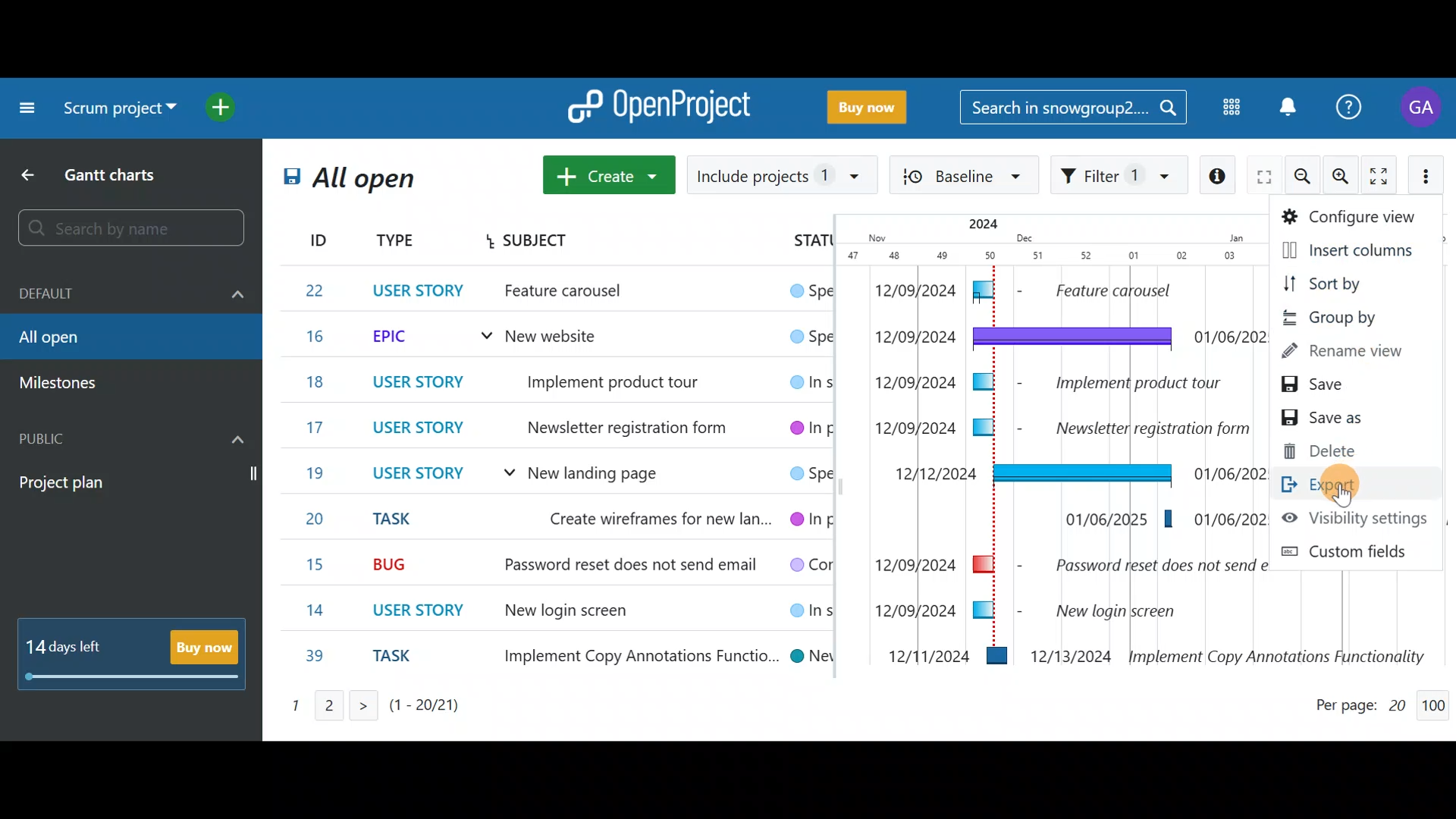 The image size is (1456, 819). What do you see at coordinates (1351, 215) in the screenshot?
I see `Configure view` at bounding box center [1351, 215].